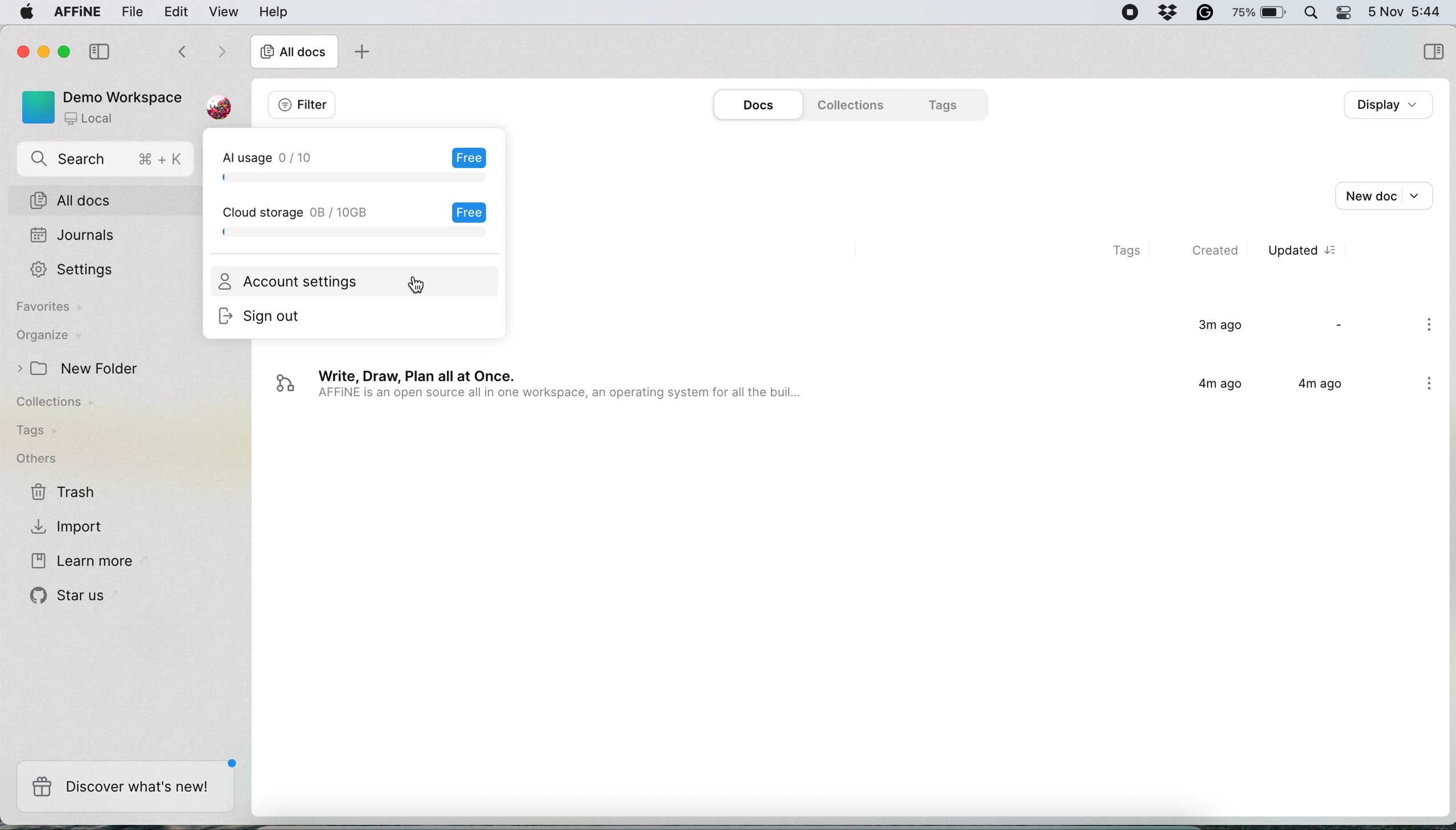 The image size is (1456, 830). I want to click on maximise, so click(68, 51).